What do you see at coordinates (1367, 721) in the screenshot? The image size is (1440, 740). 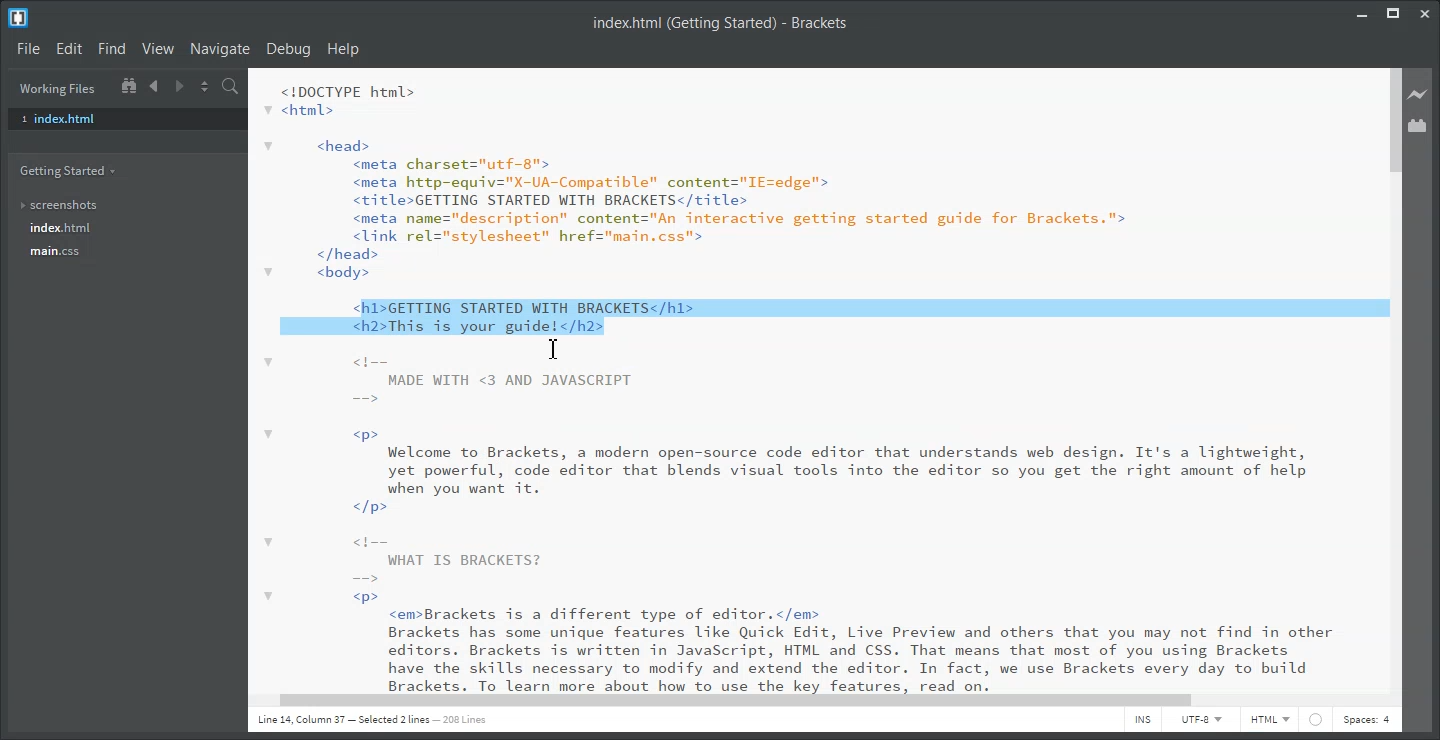 I see `Spaces: 4` at bounding box center [1367, 721].